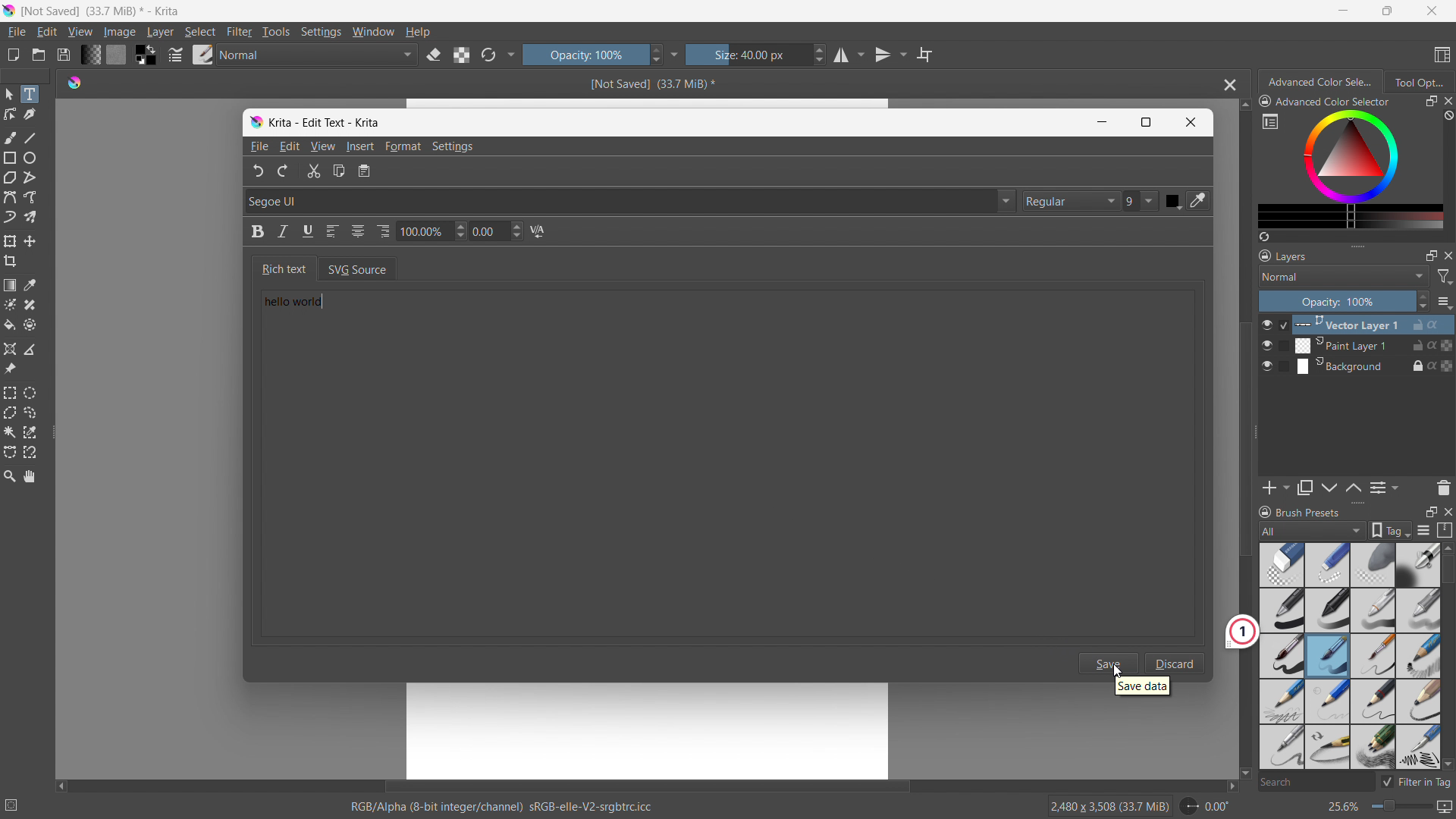 The width and height of the screenshot is (1456, 819). I want to click on reload original preset, so click(488, 54).